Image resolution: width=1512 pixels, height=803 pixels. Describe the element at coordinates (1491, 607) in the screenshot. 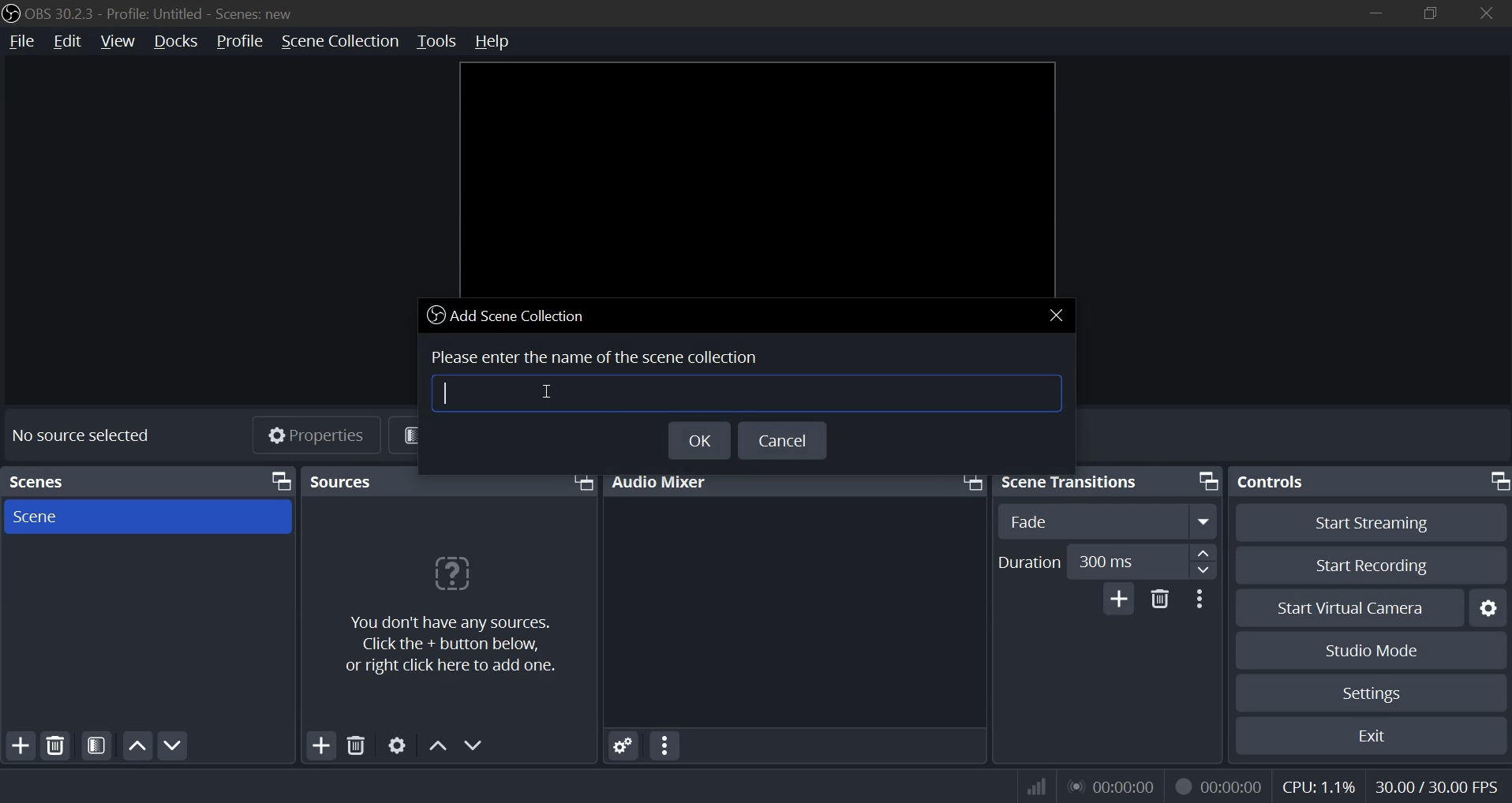

I see `settings` at that location.